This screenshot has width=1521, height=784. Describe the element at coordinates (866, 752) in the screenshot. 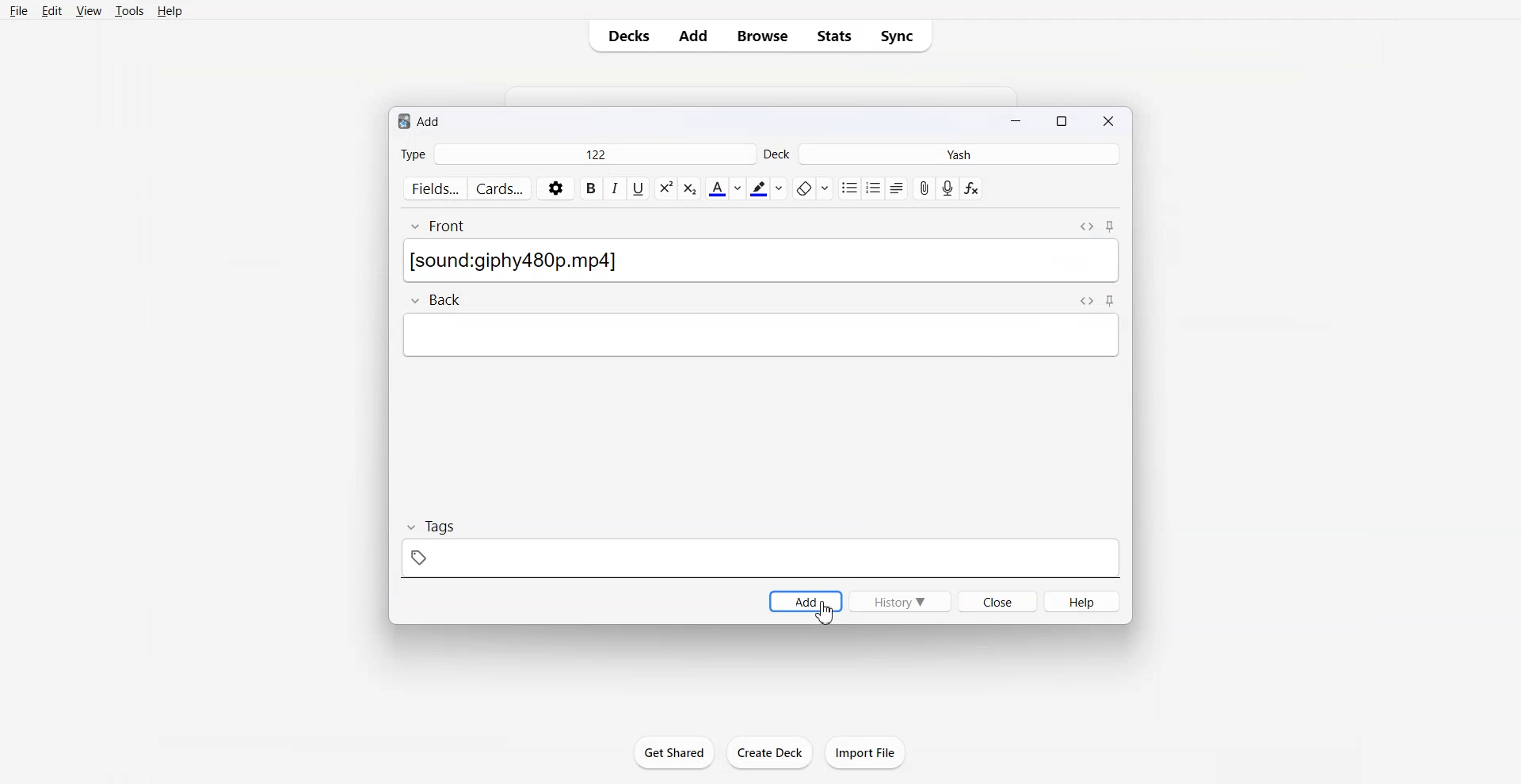

I see `Import File` at that location.